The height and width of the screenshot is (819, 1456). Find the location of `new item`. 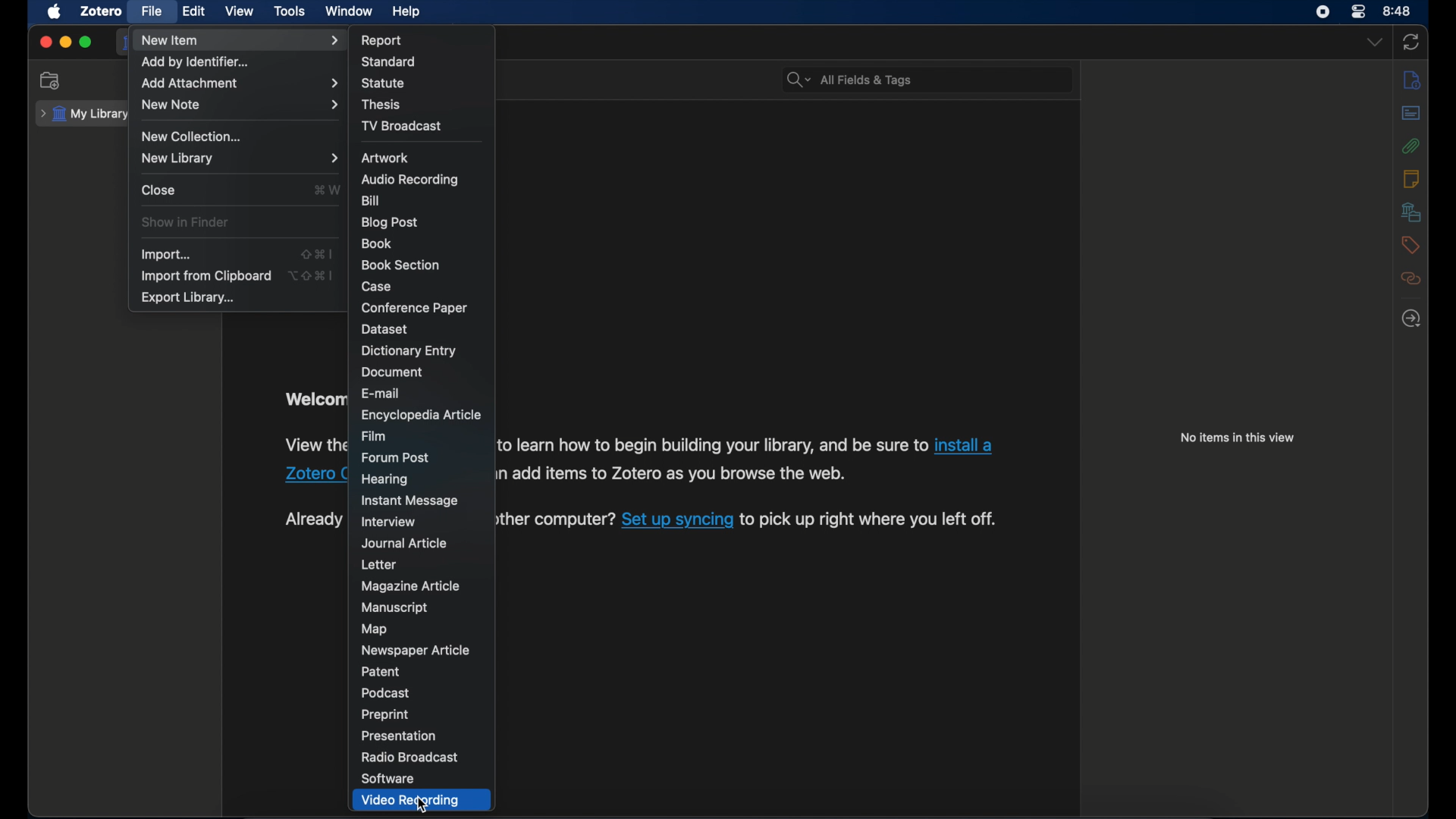

new item is located at coordinates (240, 40).